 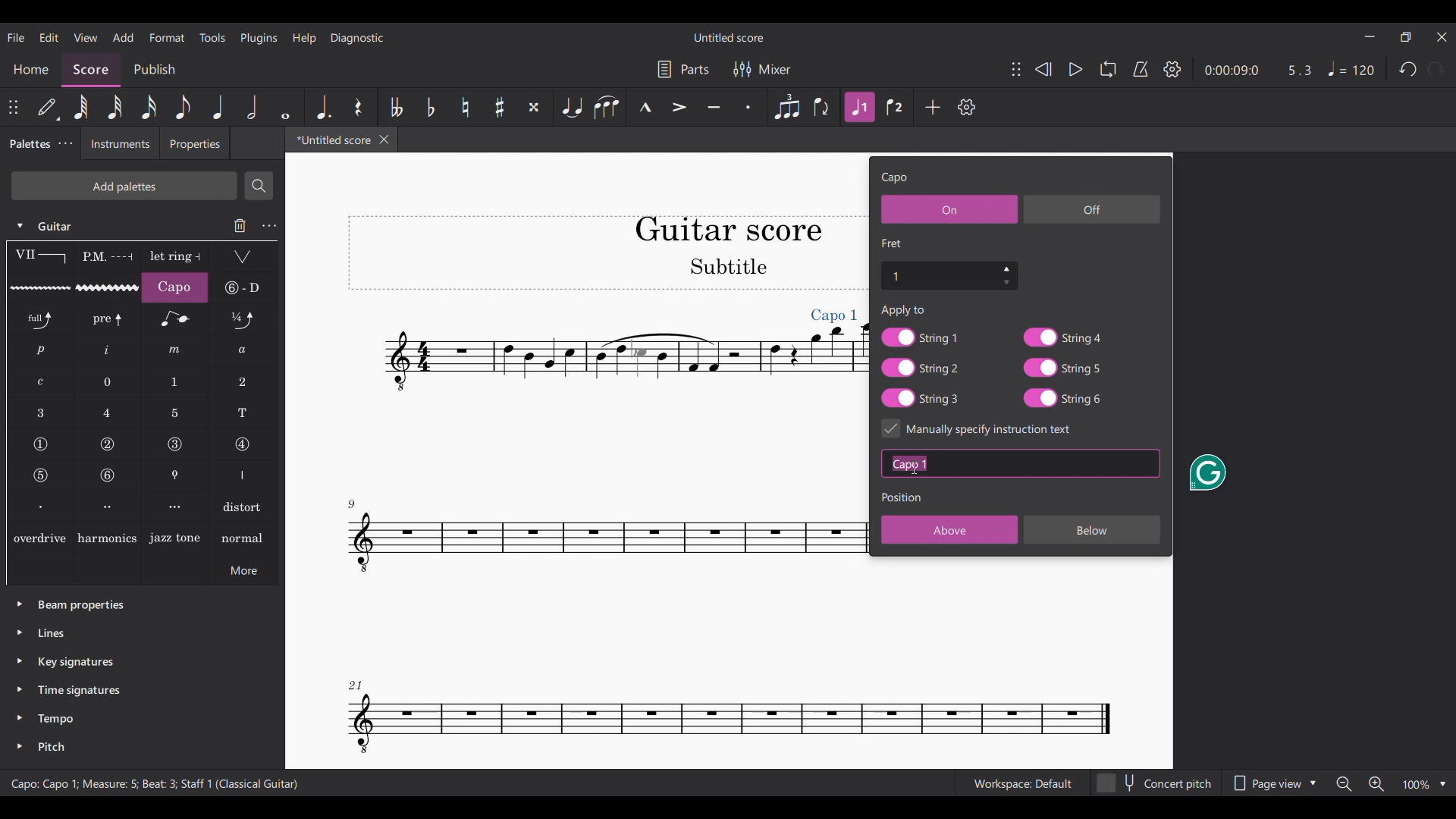 I want to click on Zoom out, so click(x=1345, y=784).